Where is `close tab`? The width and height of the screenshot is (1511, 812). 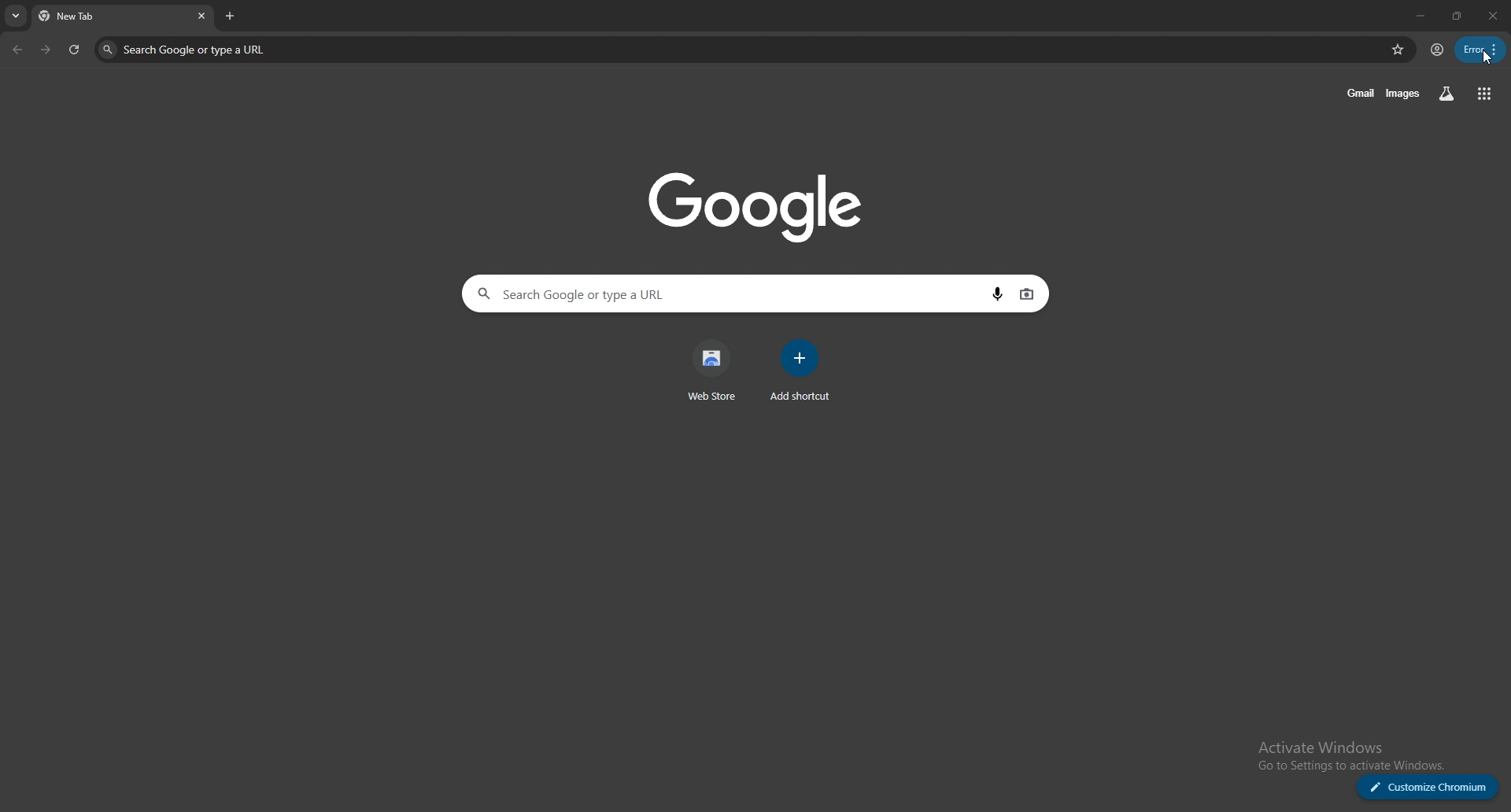 close tab is located at coordinates (199, 17).